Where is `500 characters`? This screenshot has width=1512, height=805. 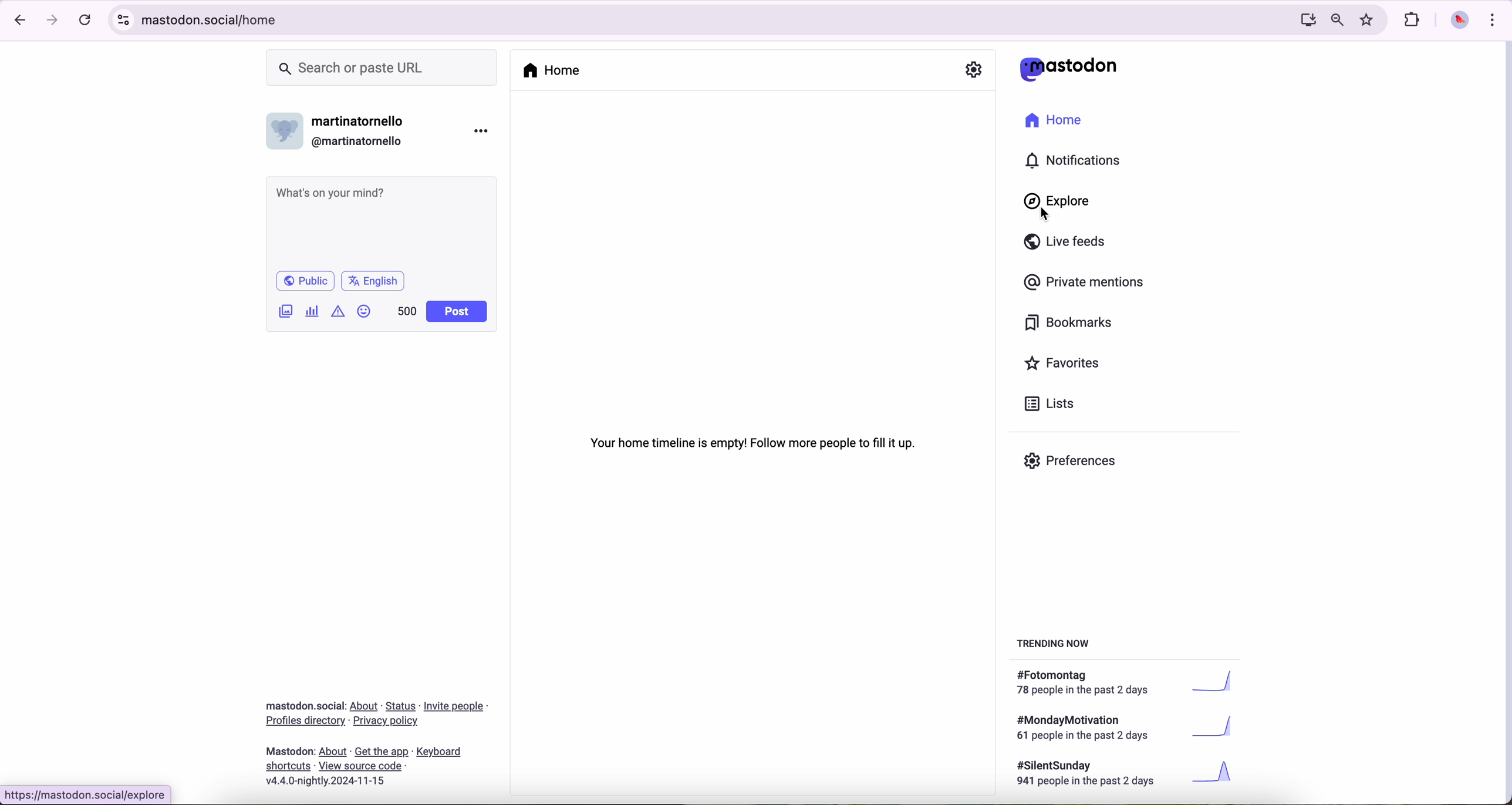 500 characters is located at coordinates (406, 311).